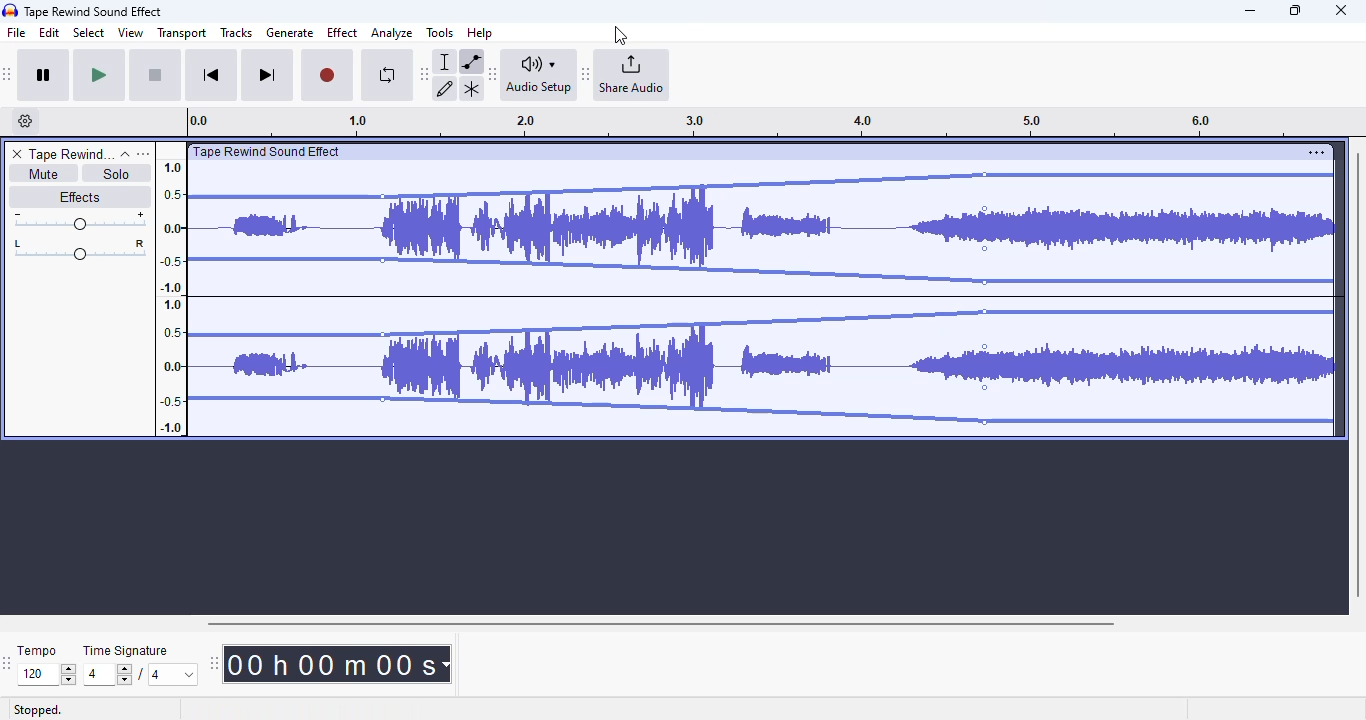 This screenshot has height=720, width=1366. What do you see at coordinates (44, 76) in the screenshot?
I see `pause` at bounding box center [44, 76].